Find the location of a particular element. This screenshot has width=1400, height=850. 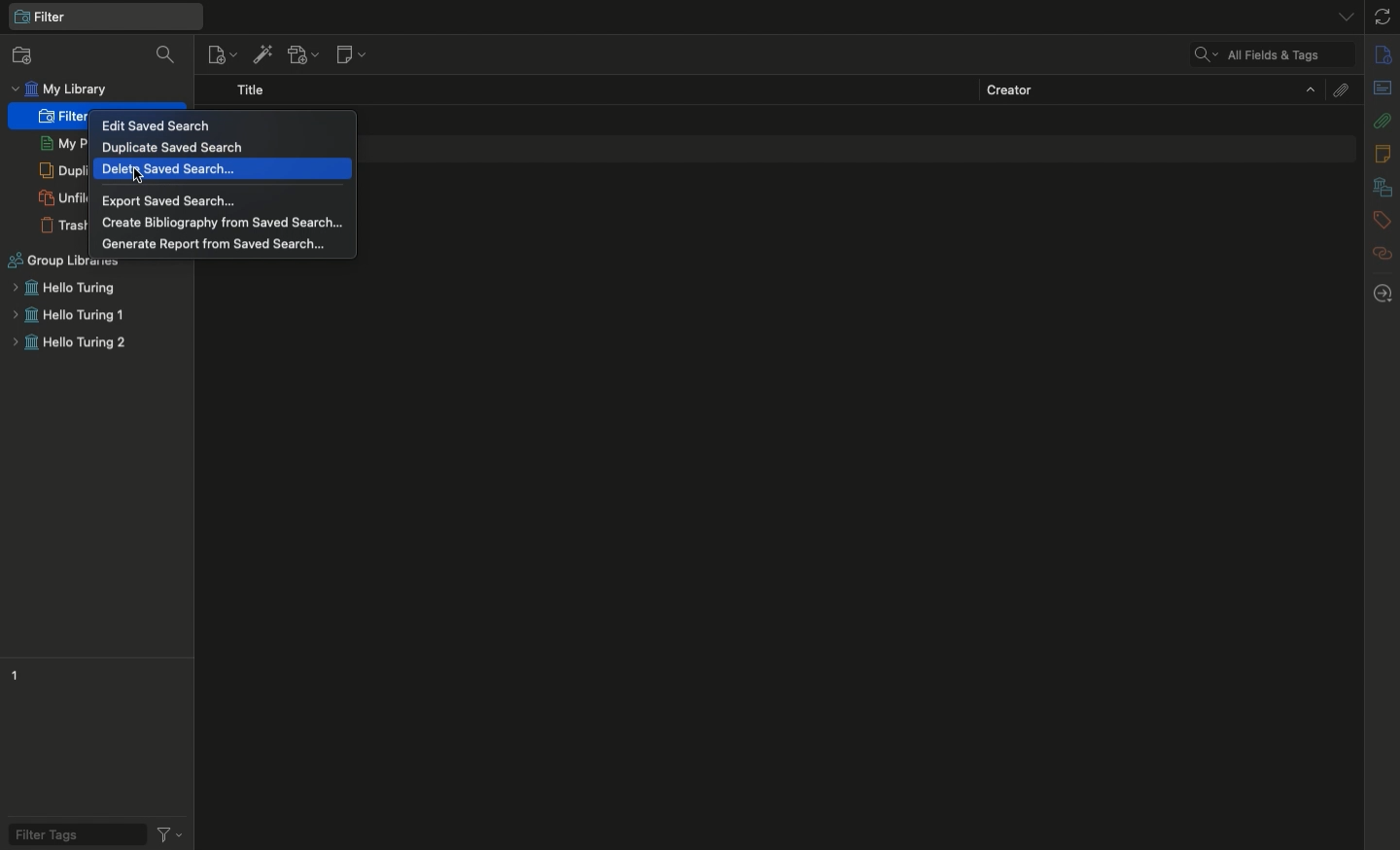

cursor is located at coordinates (139, 177).